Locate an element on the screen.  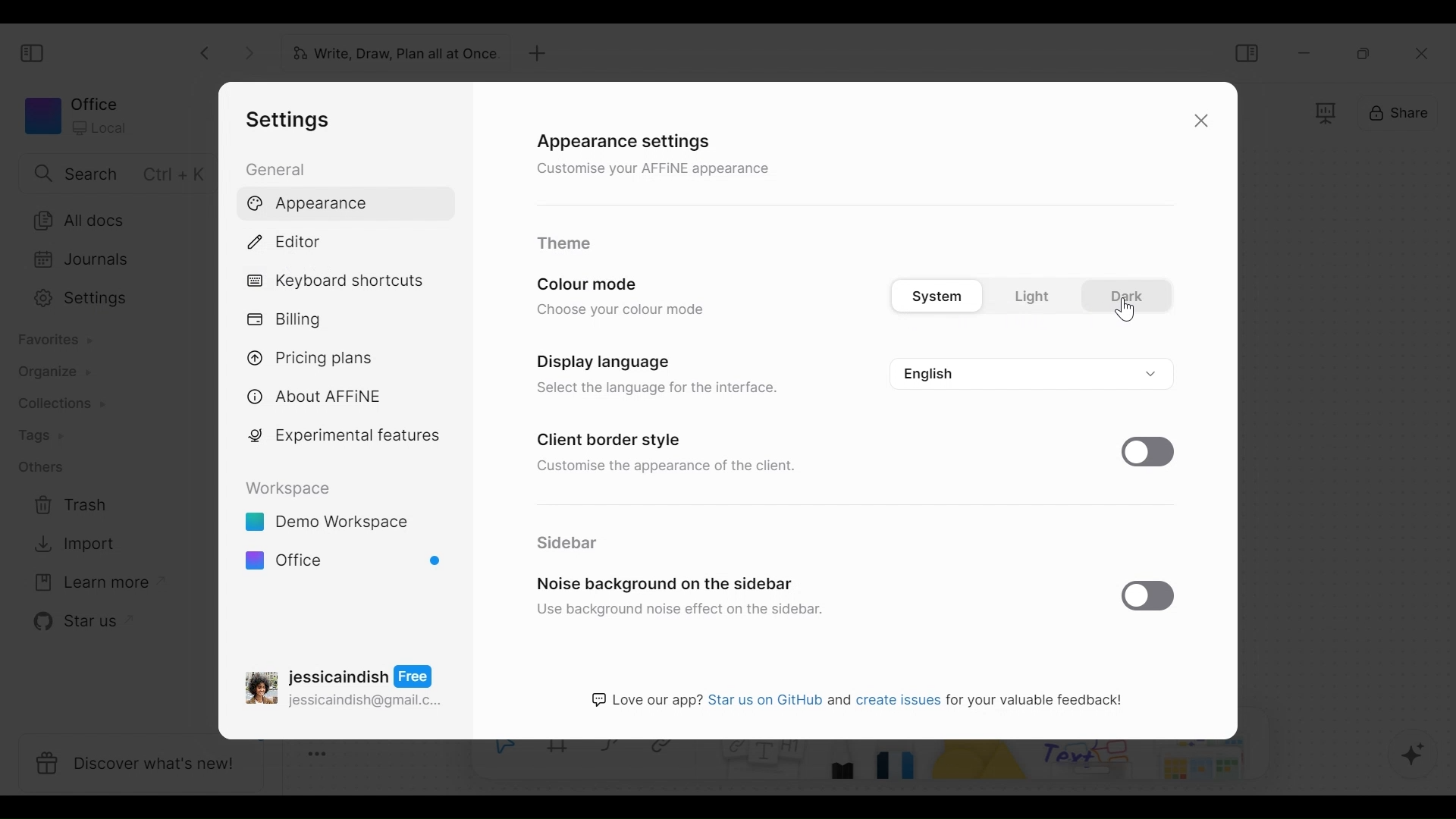
Click to go back is located at coordinates (204, 53).